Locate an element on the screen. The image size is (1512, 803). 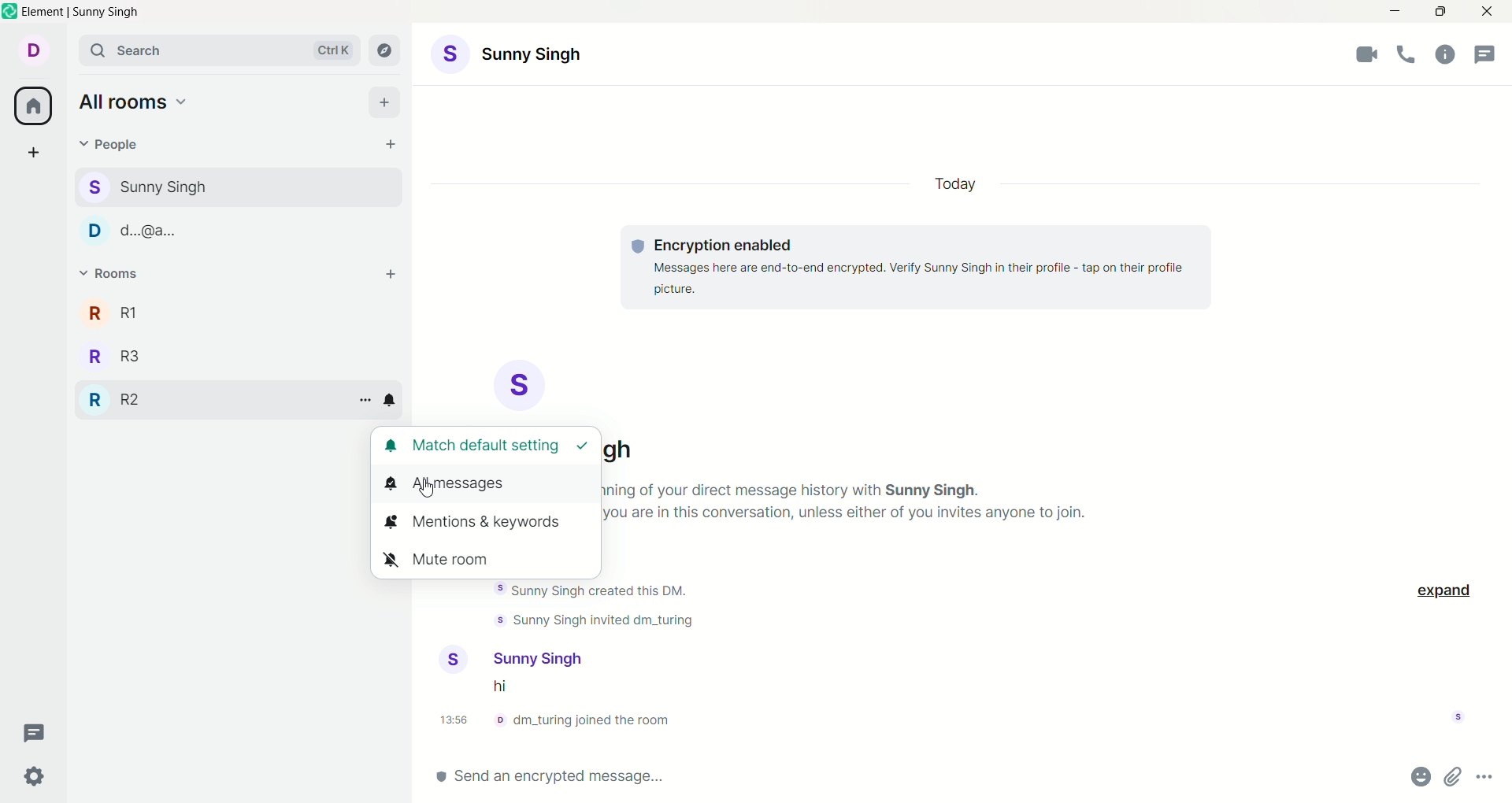
all messages is located at coordinates (454, 485).